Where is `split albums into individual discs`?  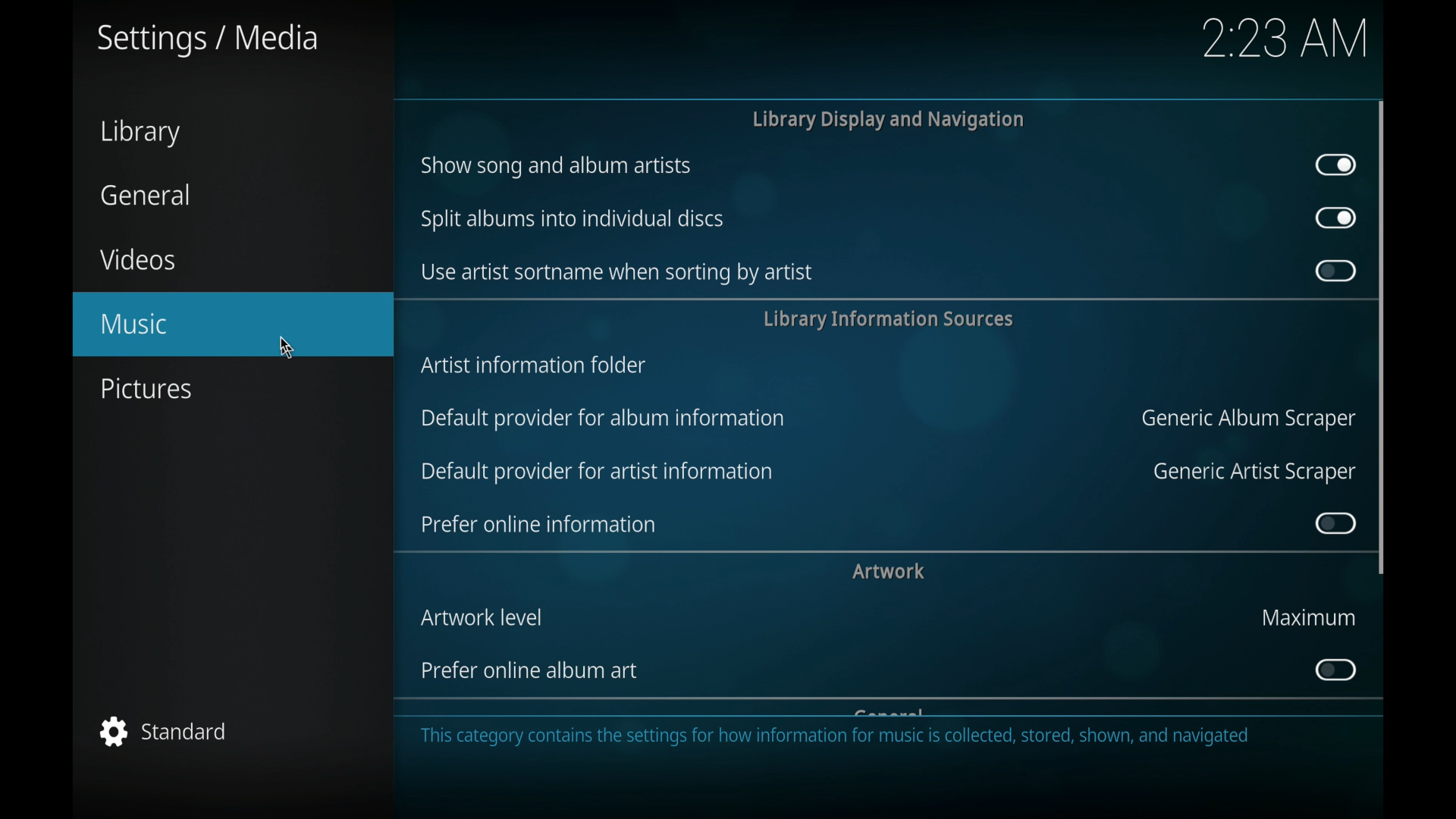
split albums into individual discs is located at coordinates (573, 218).